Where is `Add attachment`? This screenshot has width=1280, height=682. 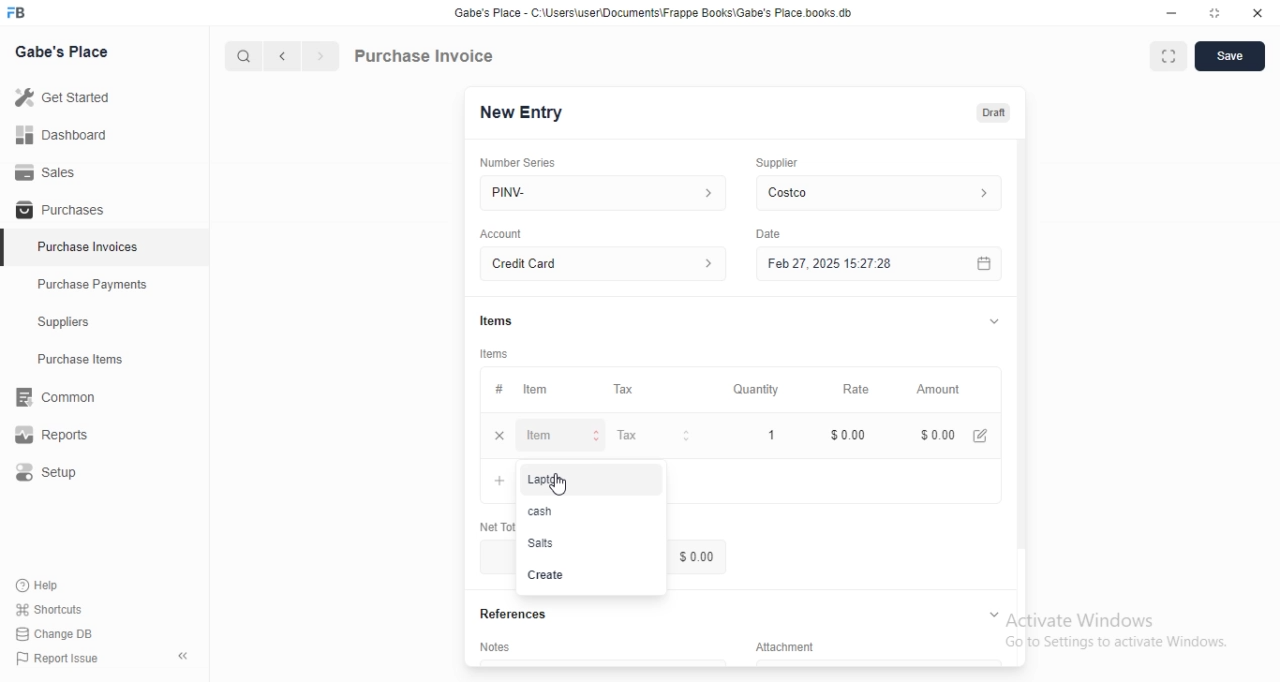
Add attachment is located at coordinates (879, 662).